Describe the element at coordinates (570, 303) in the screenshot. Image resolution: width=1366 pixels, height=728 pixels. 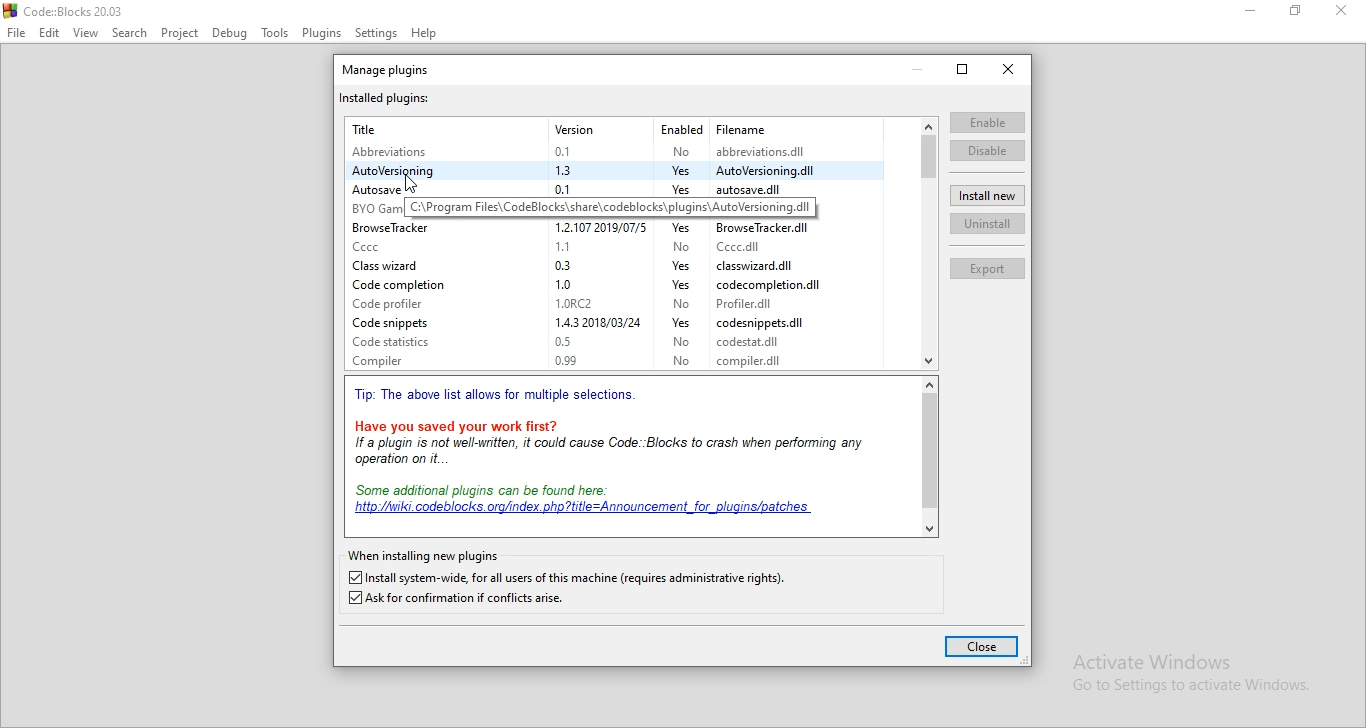
I see `1.0RC2` at that location.